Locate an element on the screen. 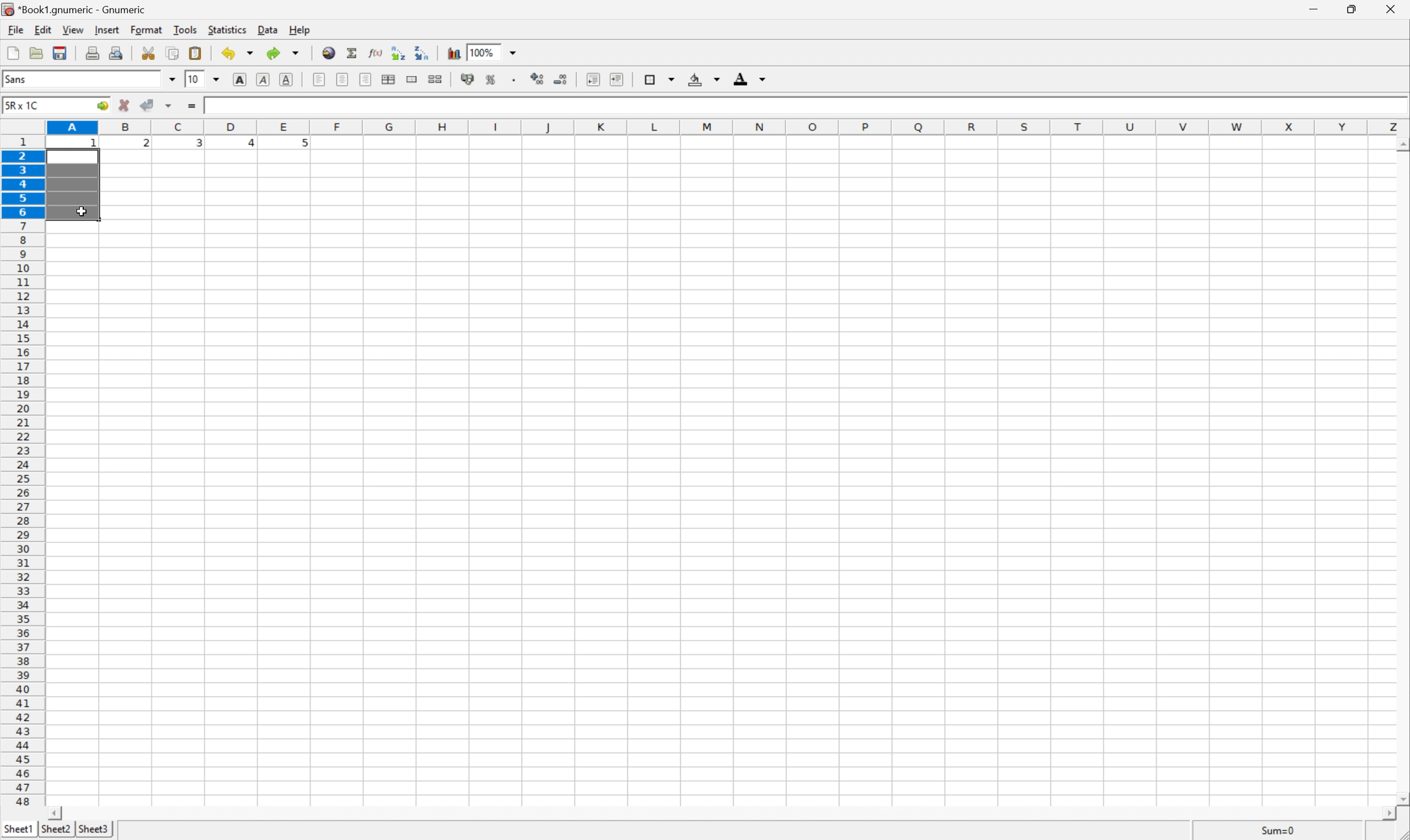 The image size is (1410, 840). format selection as percentage is located at coordinates (491, 80).